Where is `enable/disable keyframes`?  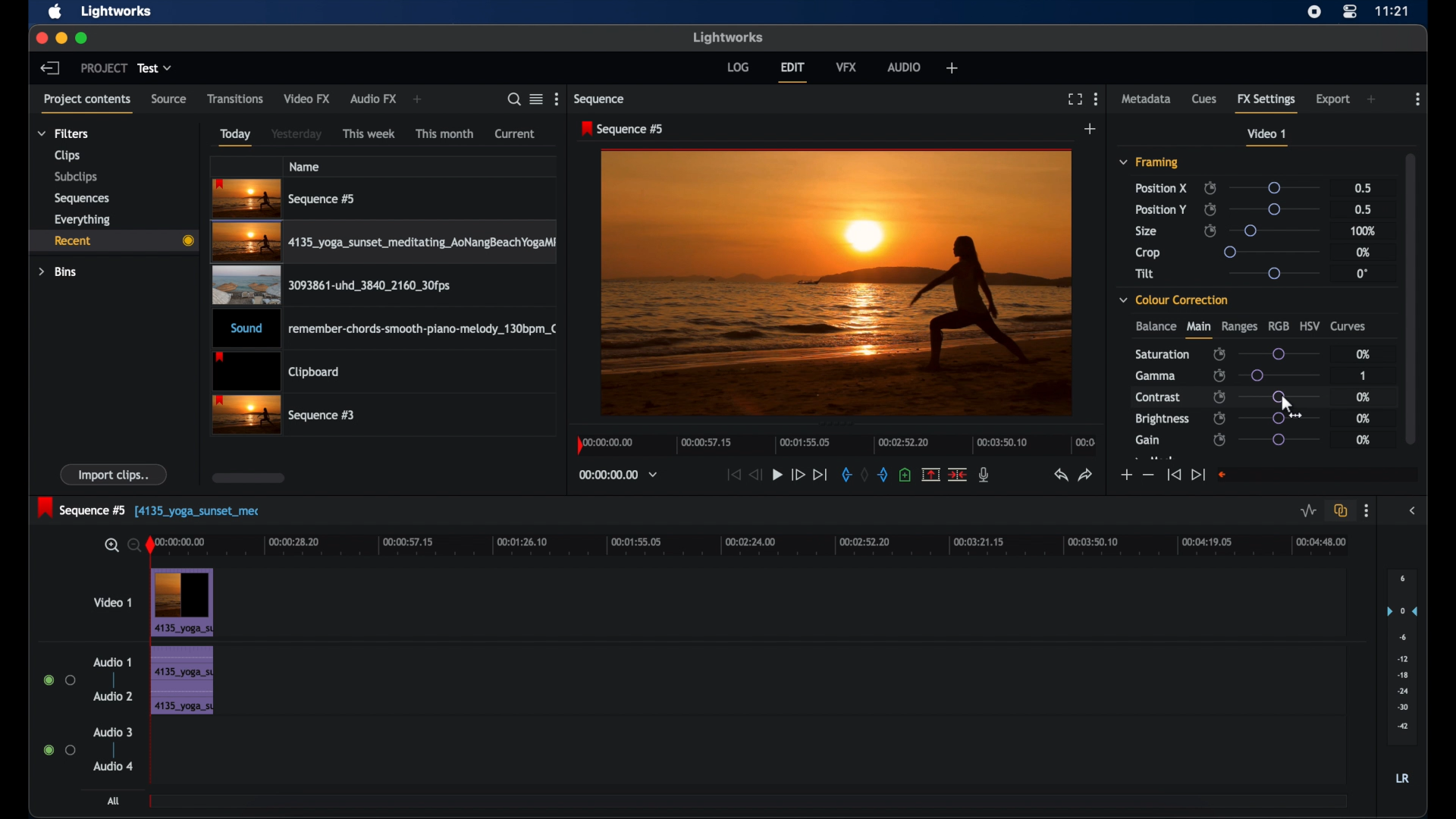
enable/disable keyframes is located at coordinates (1219, 396).